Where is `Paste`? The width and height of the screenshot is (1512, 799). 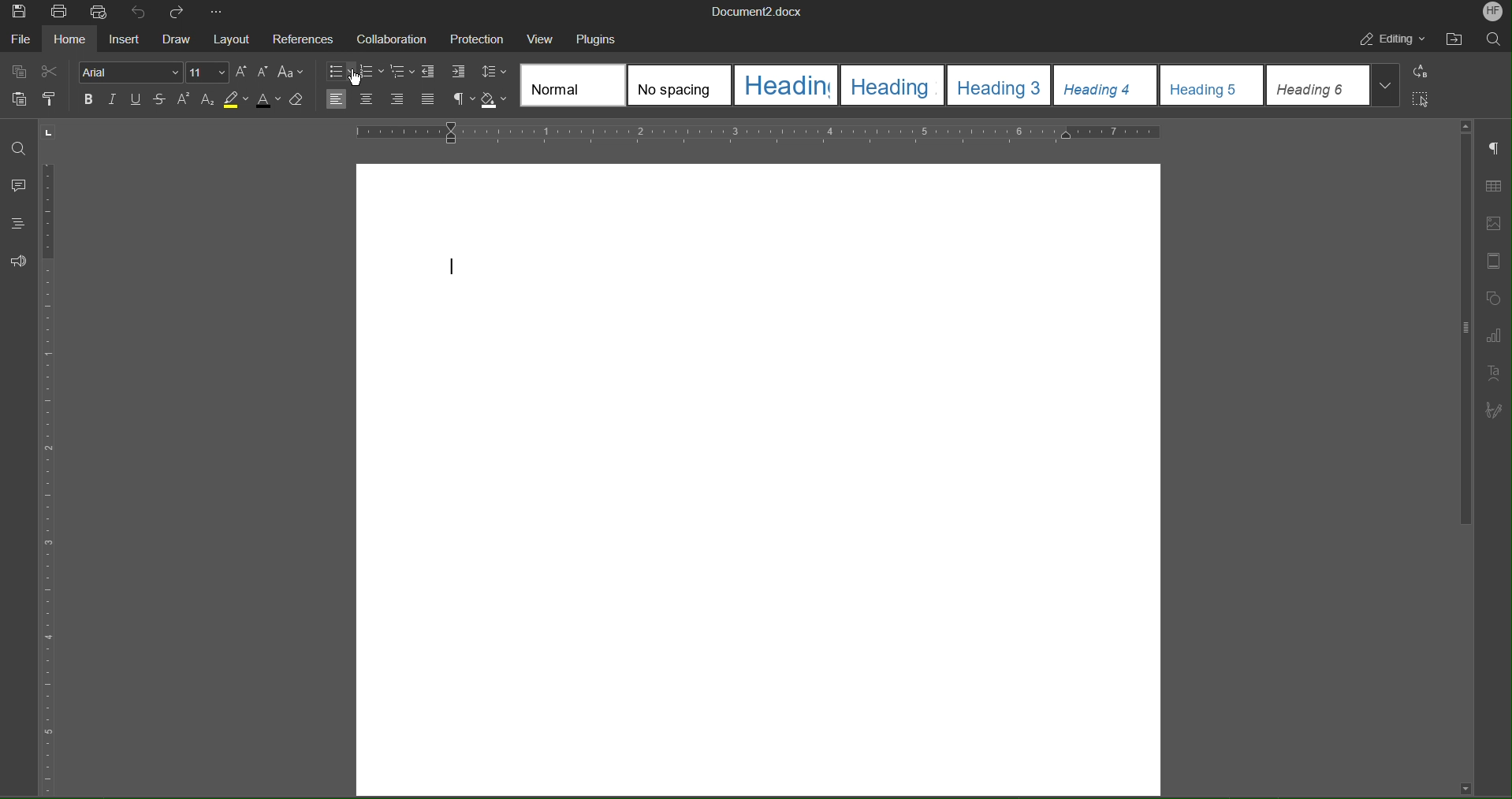
Paste is located at coordinates (18, 98).